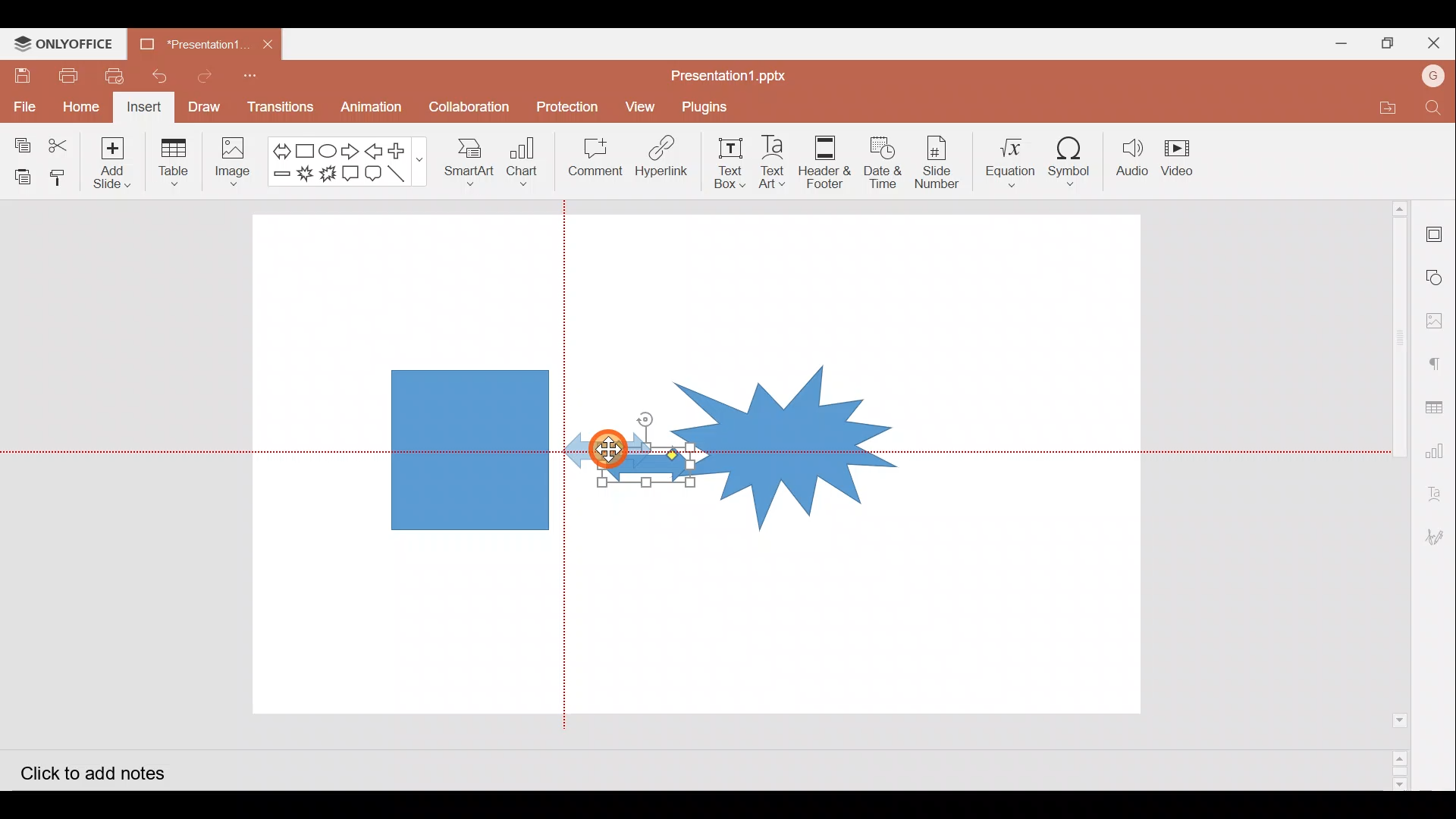  I want to click on Text Art settings, so click(1439, 488).